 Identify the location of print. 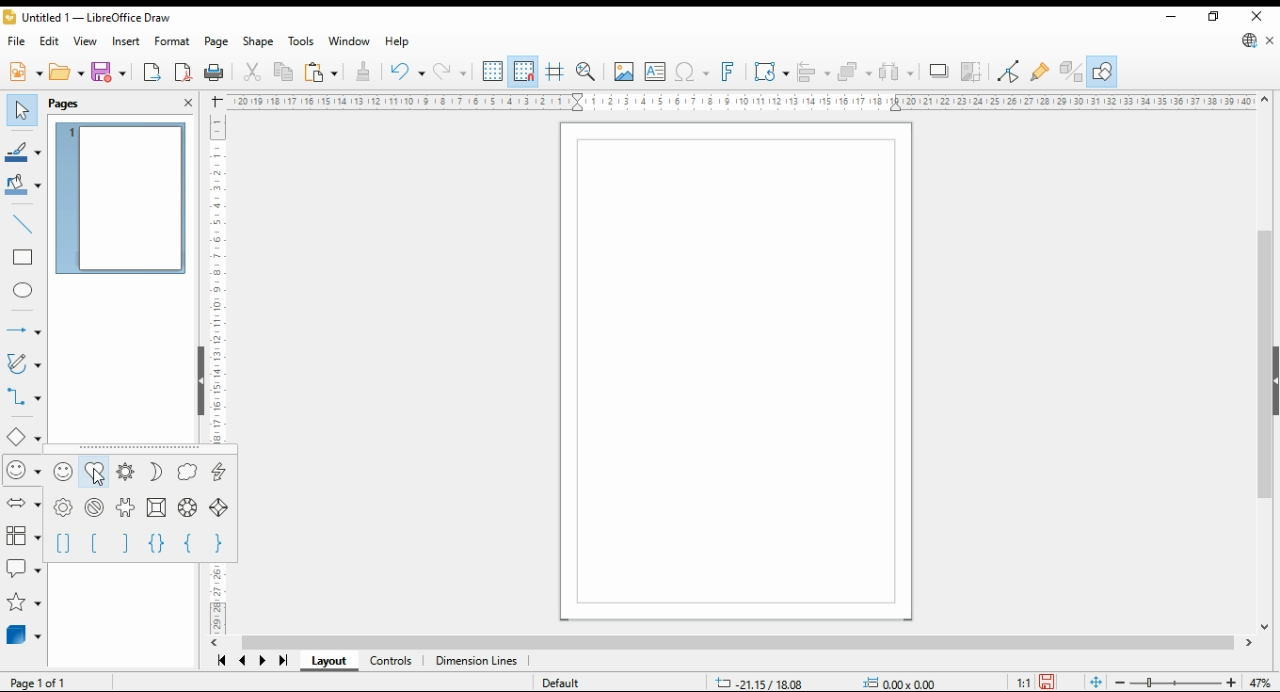
(215, 72).